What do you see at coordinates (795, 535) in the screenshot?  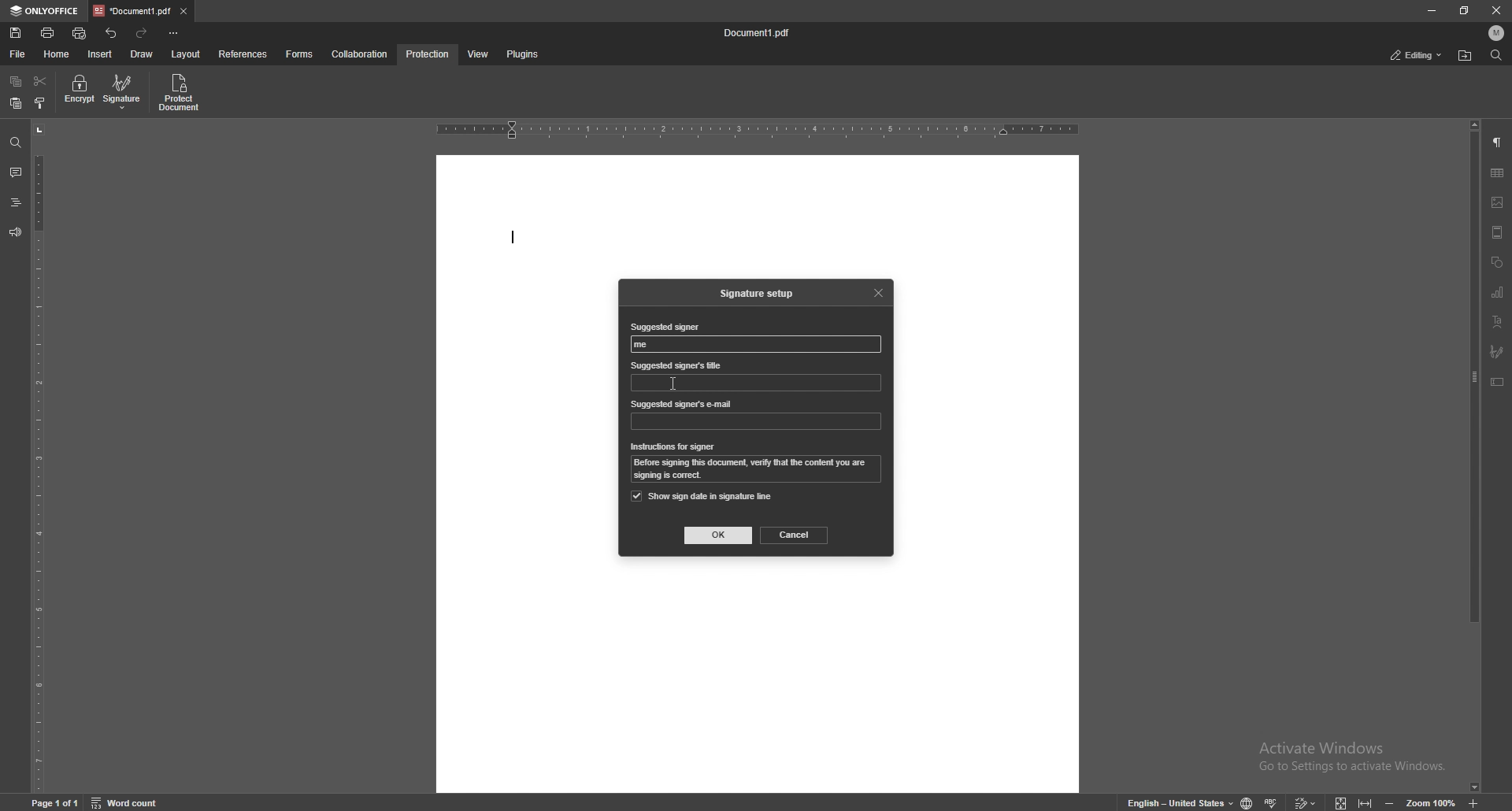 I see `cancel` at bounding box center [795, 535].